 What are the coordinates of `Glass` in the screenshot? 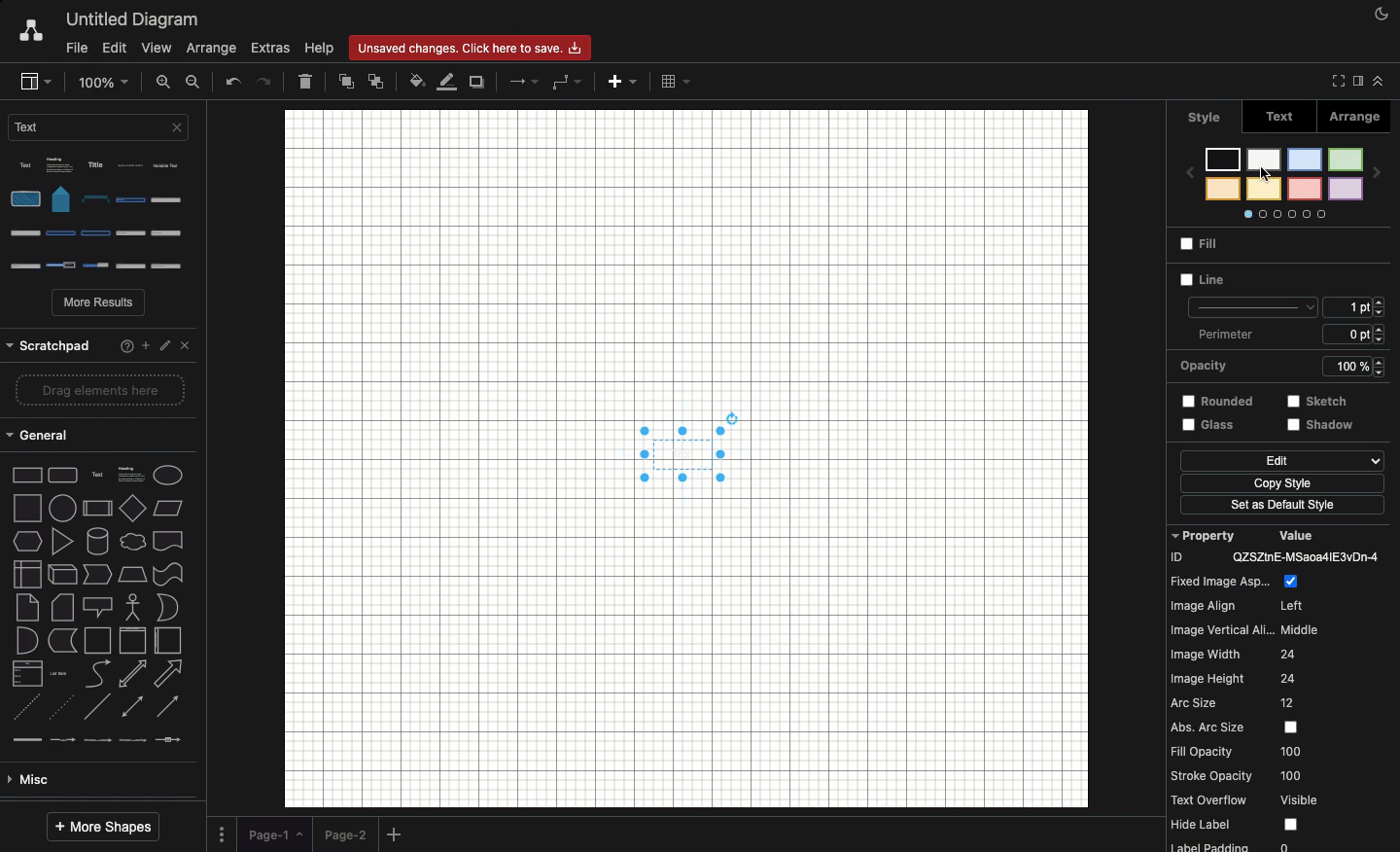 It's located at (1209, 427).